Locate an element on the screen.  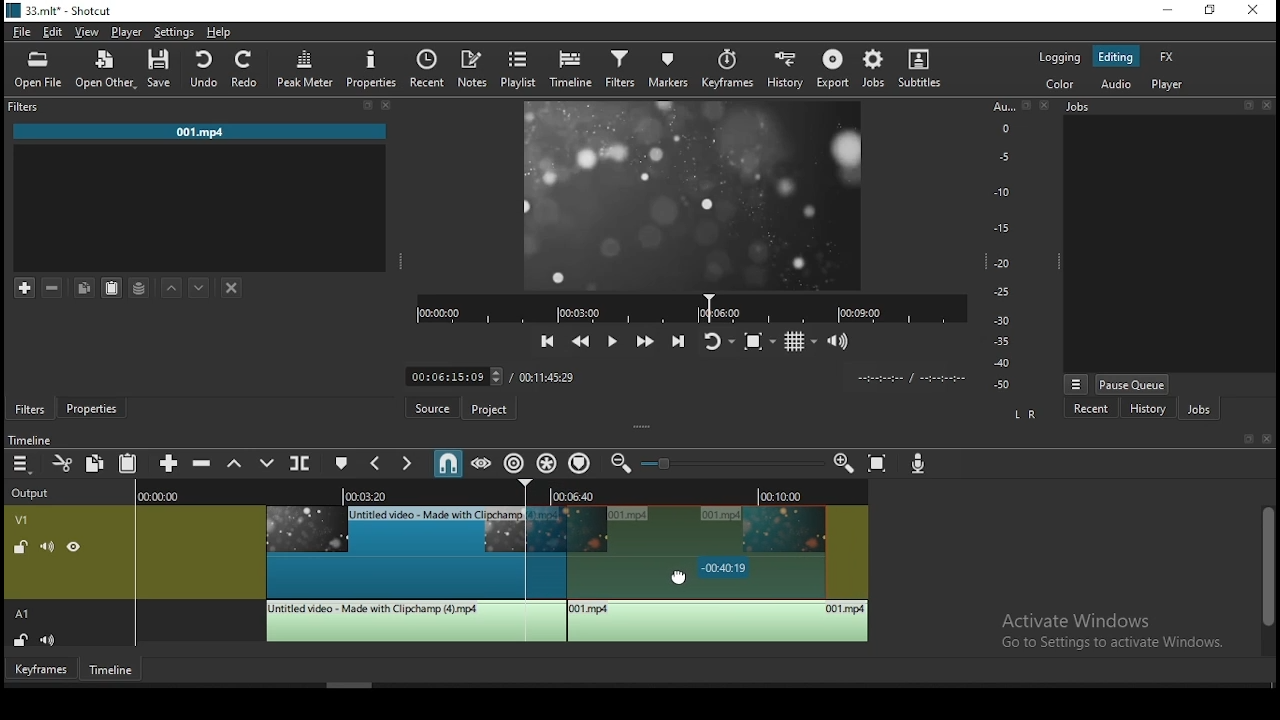
play/pause is located at coordinates (613, 341).